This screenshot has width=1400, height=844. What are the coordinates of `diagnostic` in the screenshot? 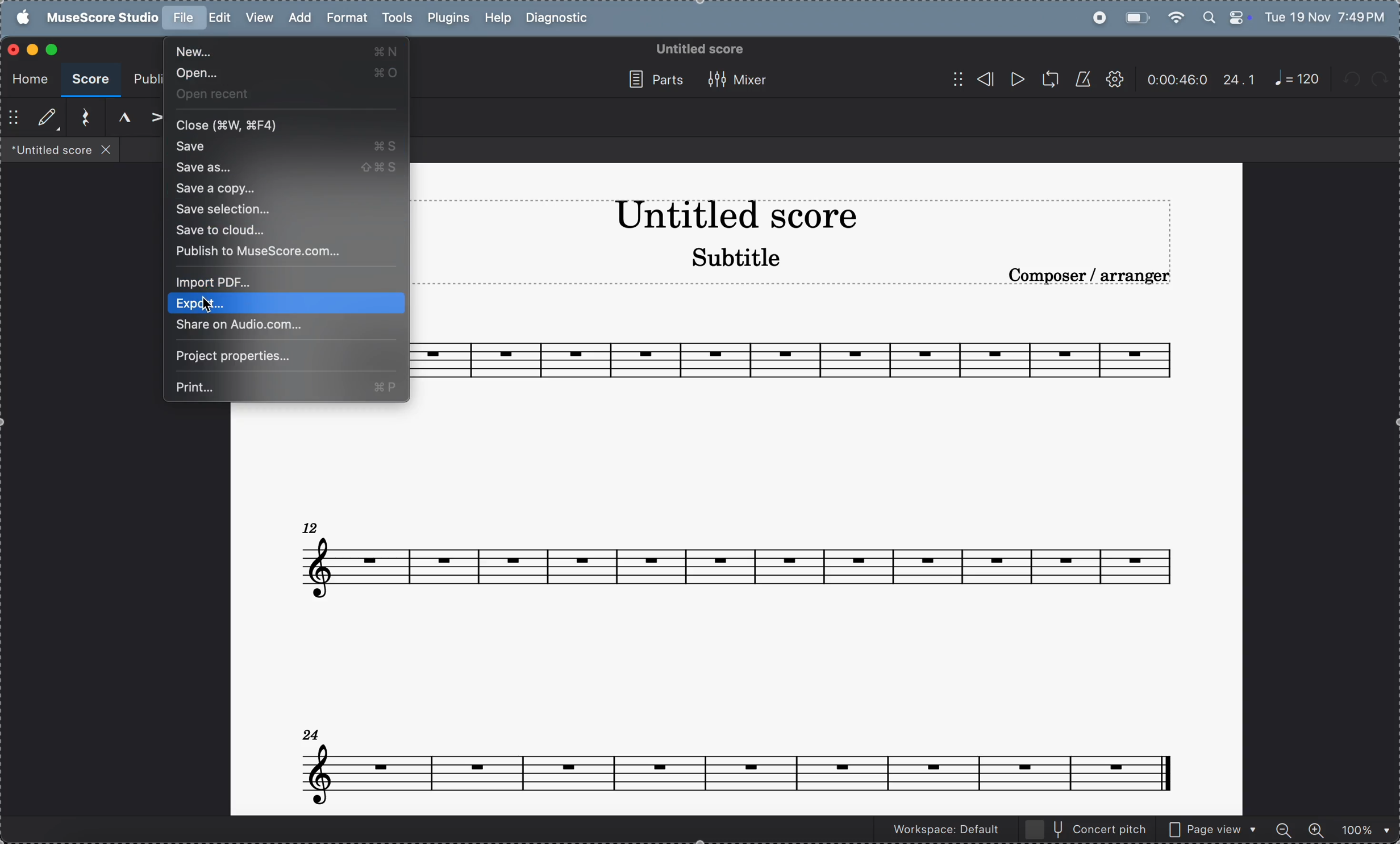 It's located at (560, 19).